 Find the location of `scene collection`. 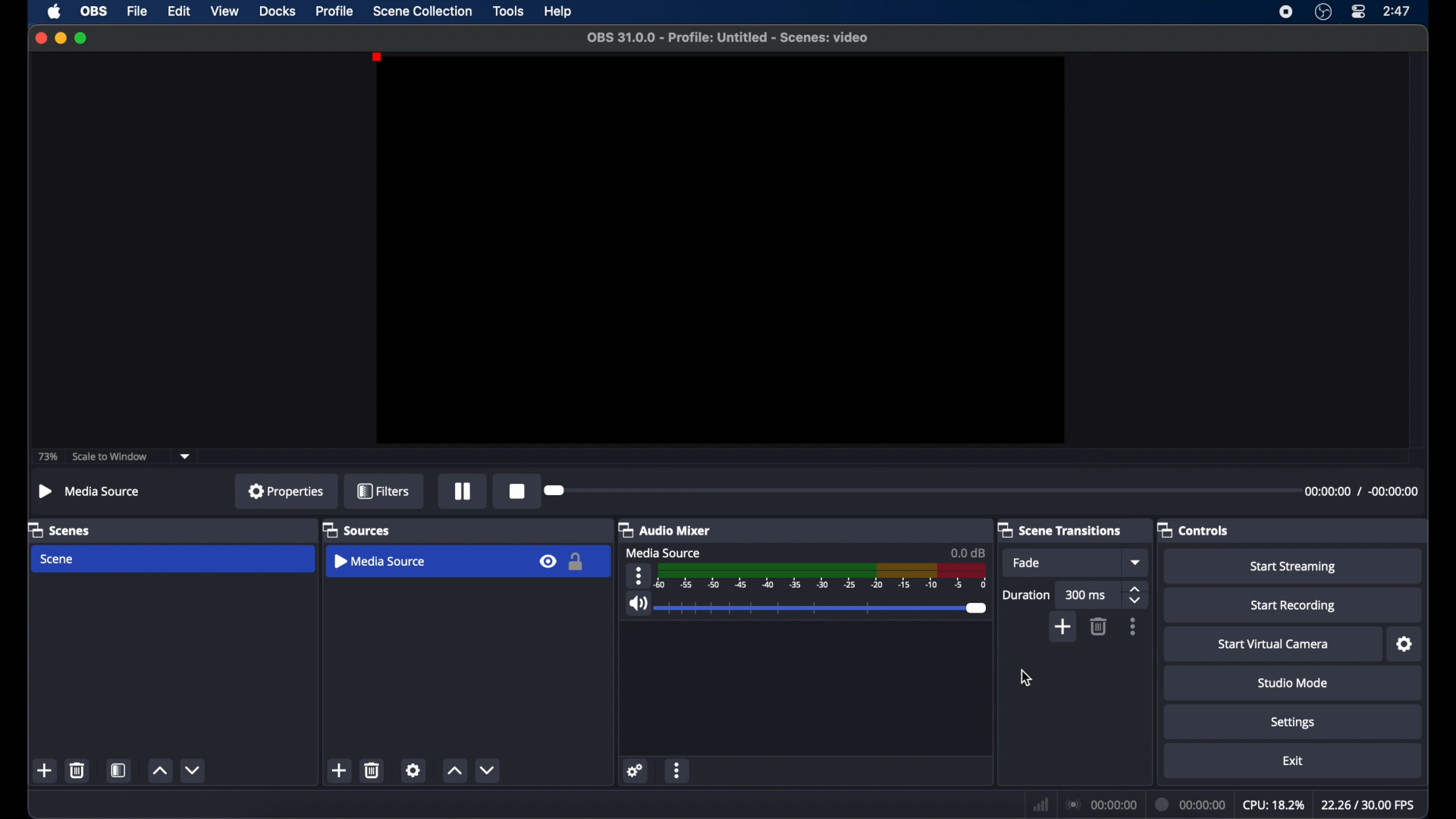

scene collection is located at coordinates (424, 11).